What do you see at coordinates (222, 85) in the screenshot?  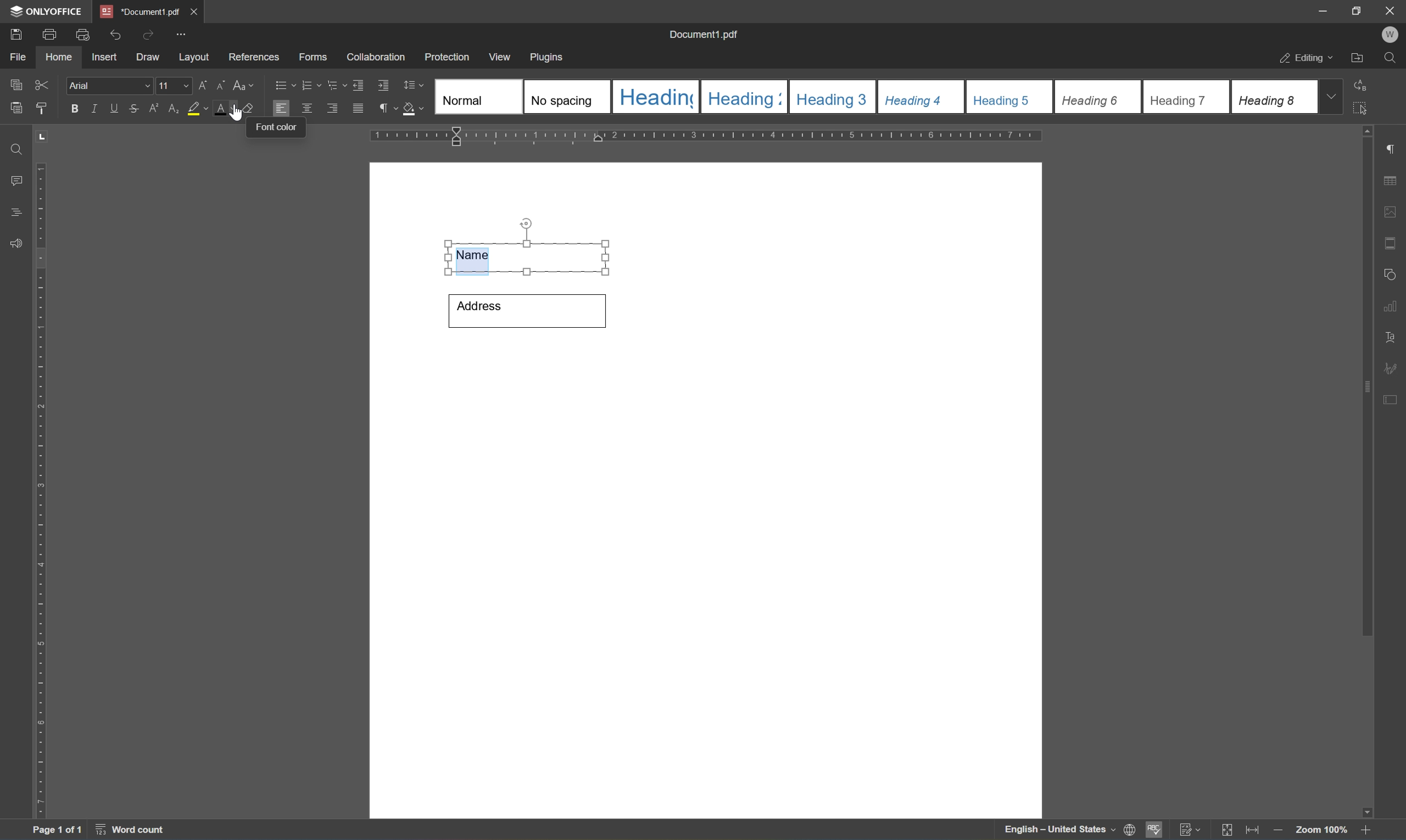 I see `decrement font size` at bounding box center [222, 85].